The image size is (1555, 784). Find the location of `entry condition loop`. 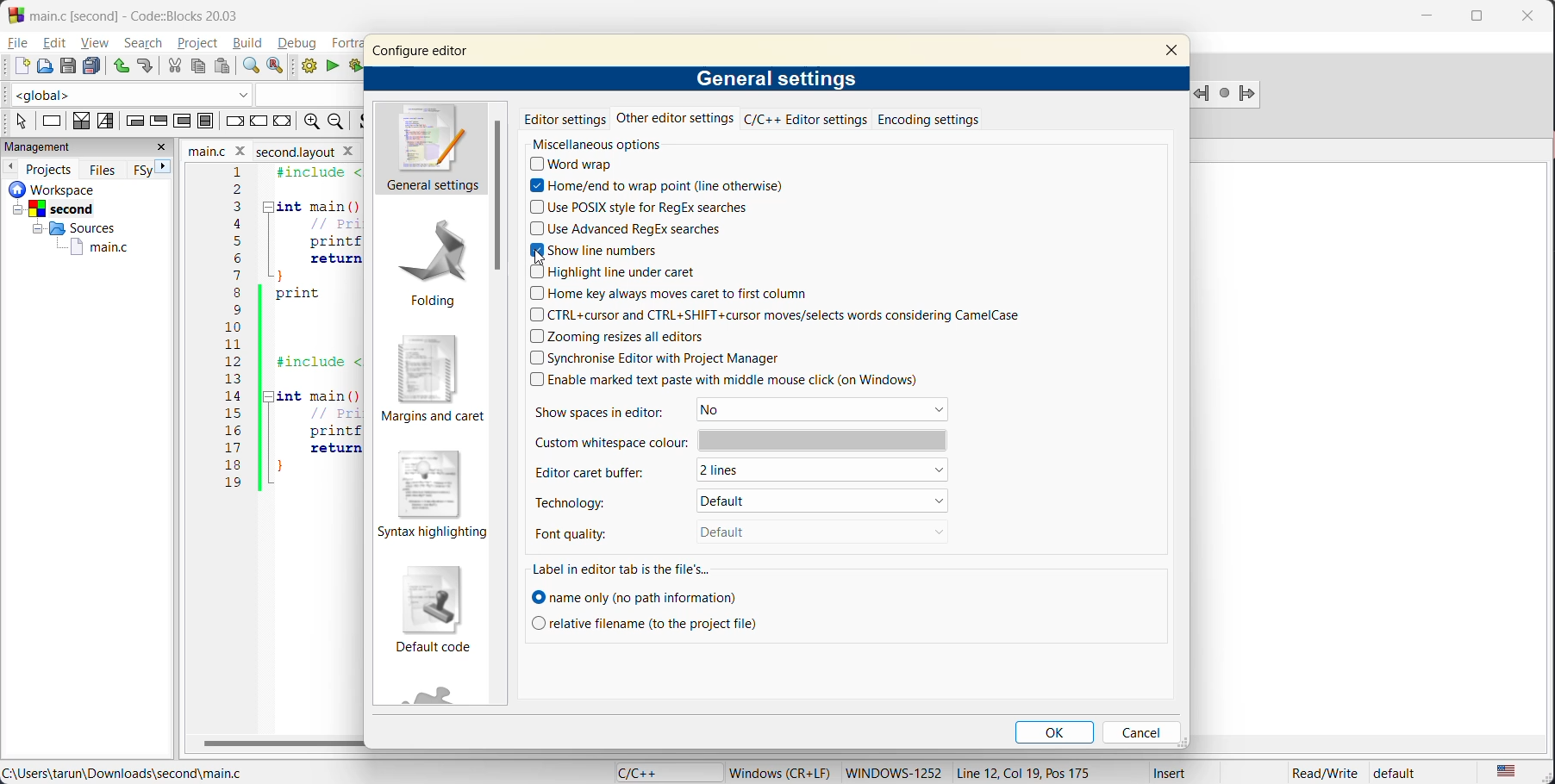

entry condition loop is located at coordinates (134, 122).